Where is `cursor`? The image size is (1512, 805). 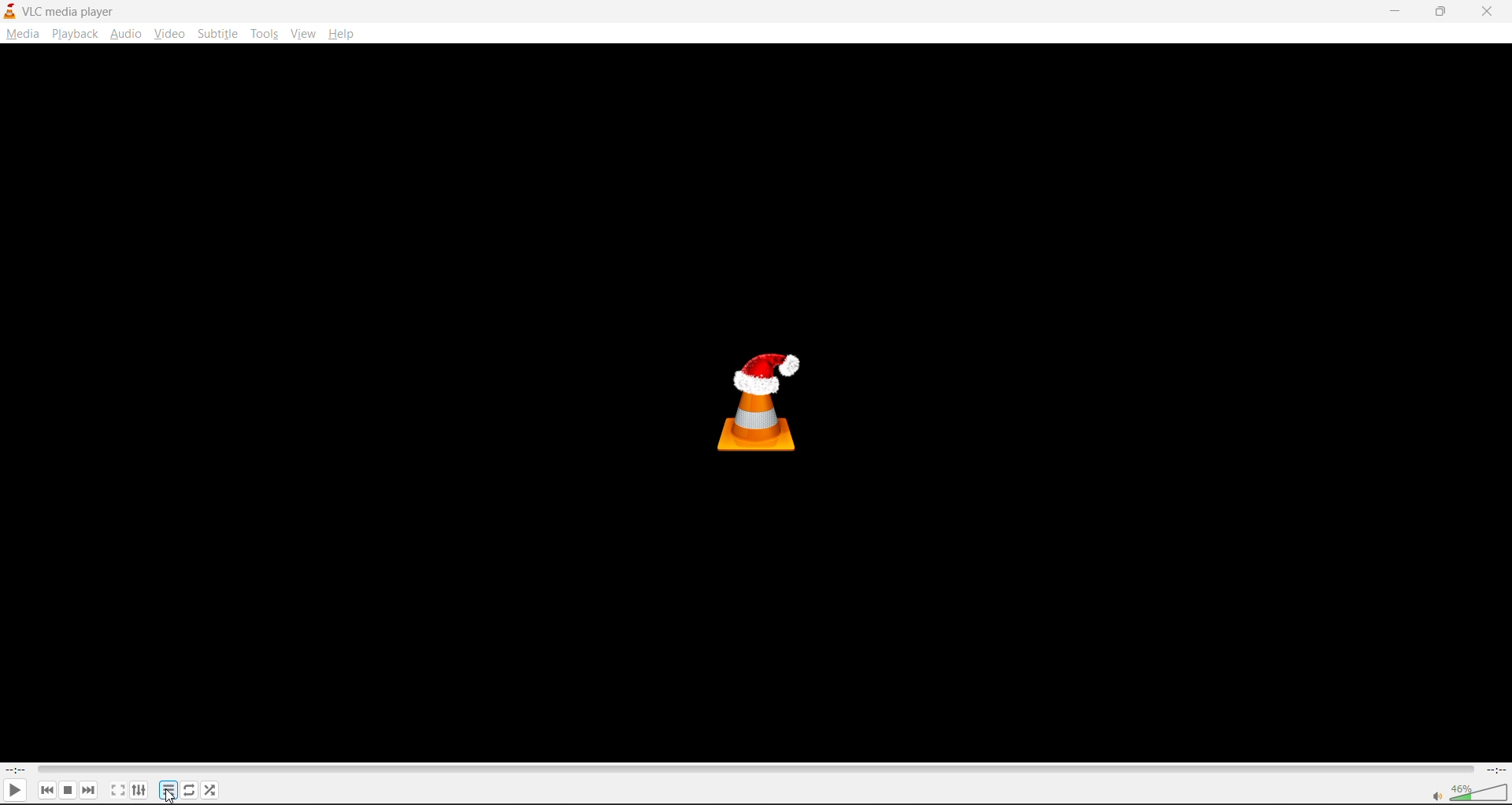 cursor is located at coordinates (169, 798).